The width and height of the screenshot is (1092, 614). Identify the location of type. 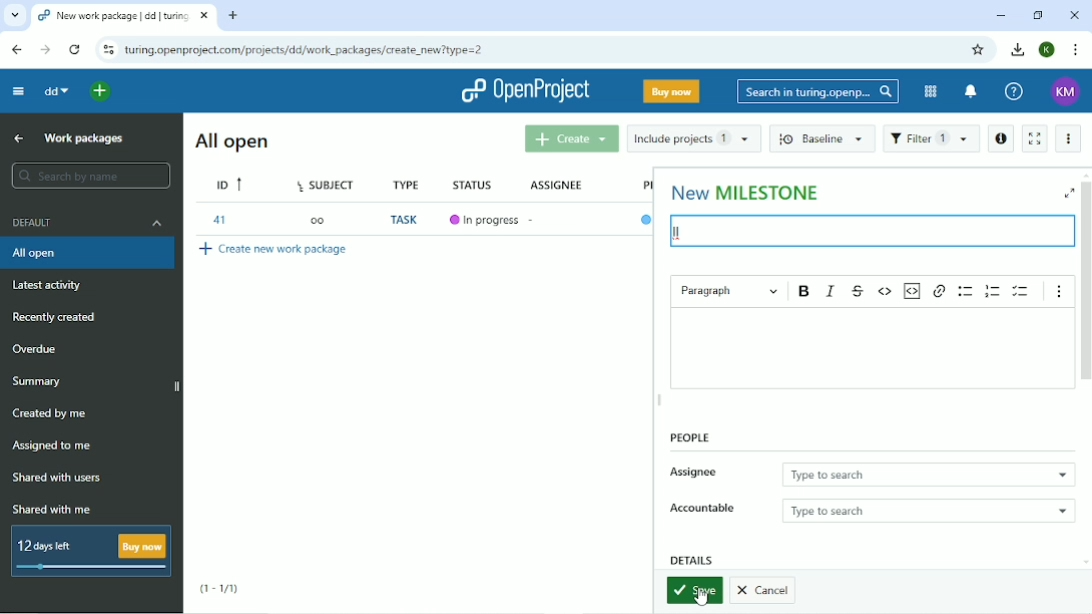
(410, 183).